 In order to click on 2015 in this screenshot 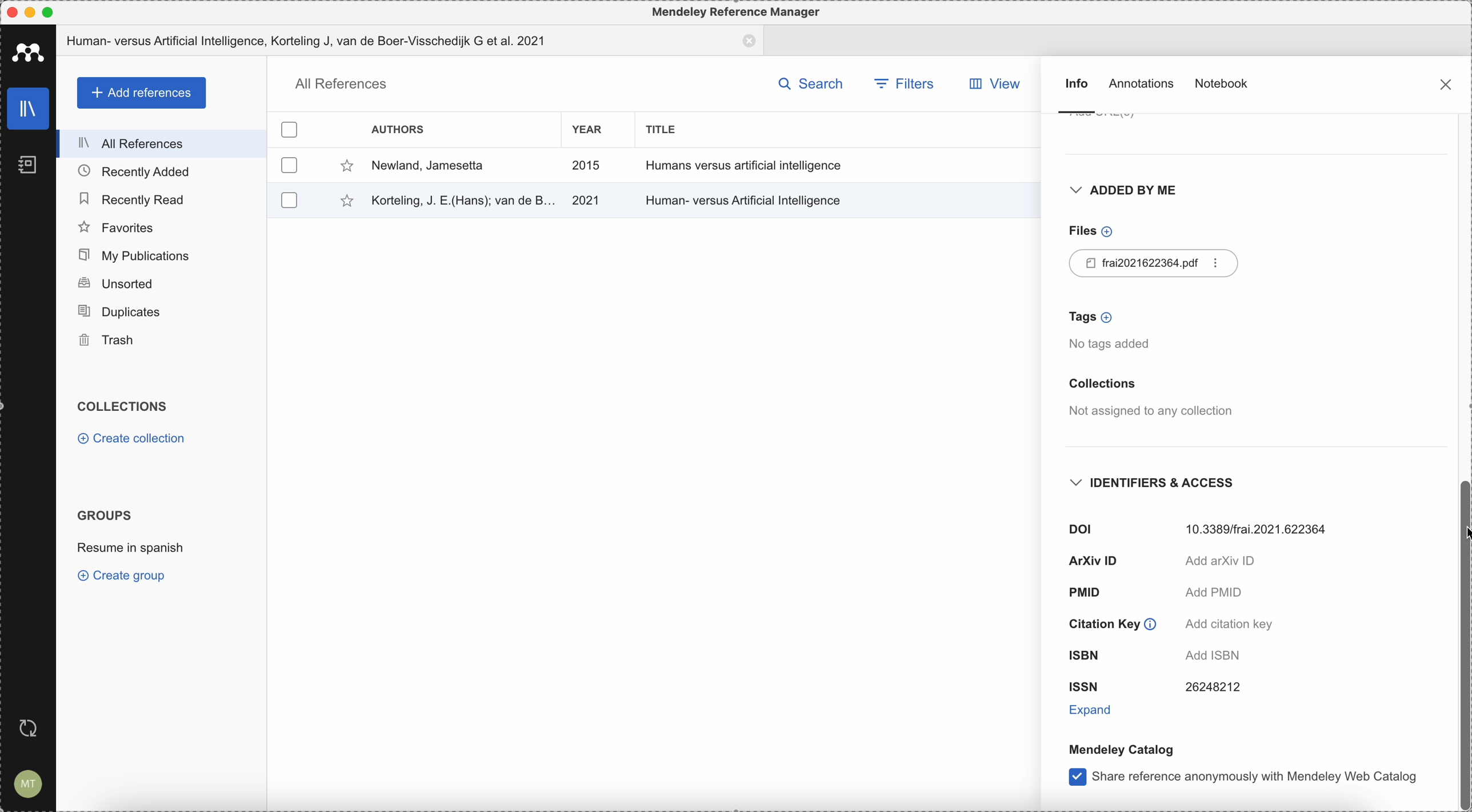, I will do `click(587, 166)`.